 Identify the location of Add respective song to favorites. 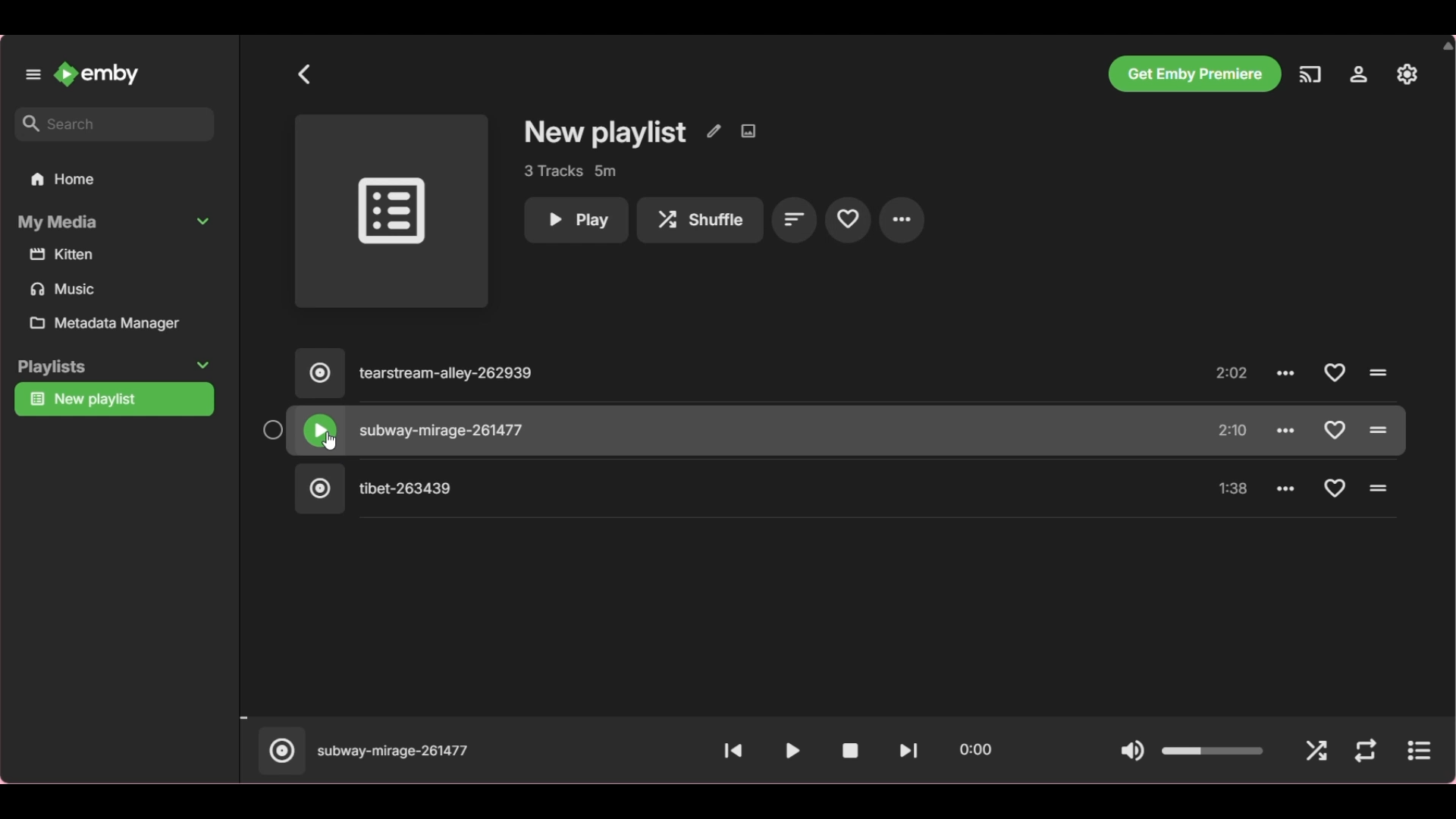
(1336, 488).